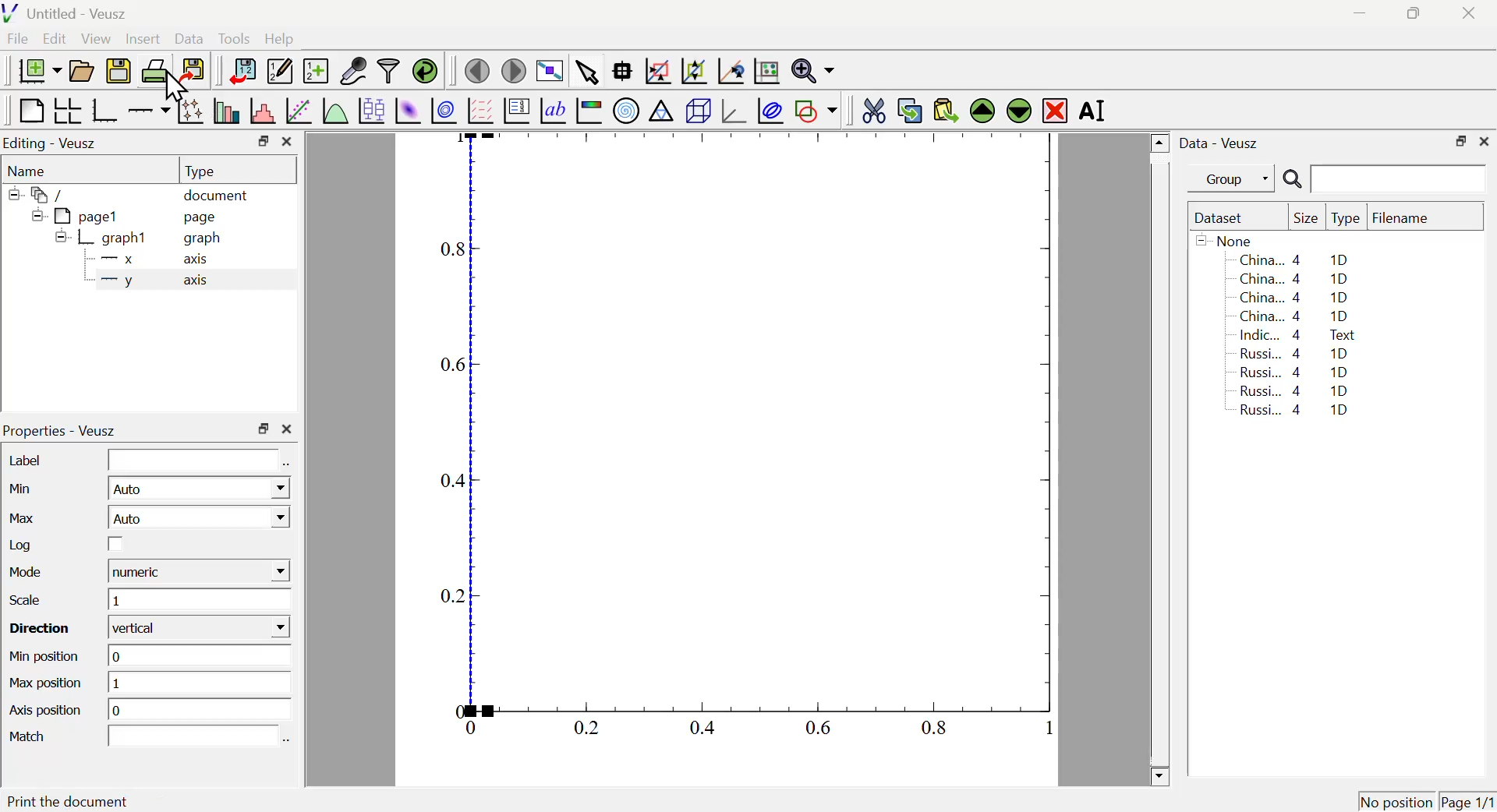 This screenshot has height=812, width=1497. What do you see at coordinates (192, 111) in the screenshot?
I see `Plot points with lines and errorbars` at bounding box center [192, 111].